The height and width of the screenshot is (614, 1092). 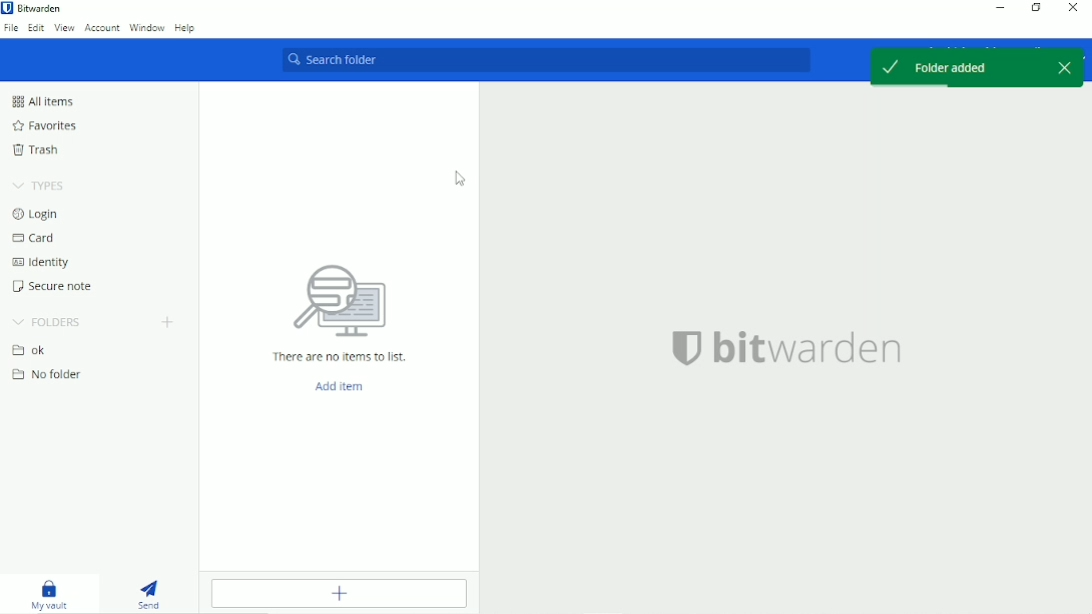 What do you see at coordinates (337, 594) in the screenshot?
I see `Add item` at bounding box center [337, 594].